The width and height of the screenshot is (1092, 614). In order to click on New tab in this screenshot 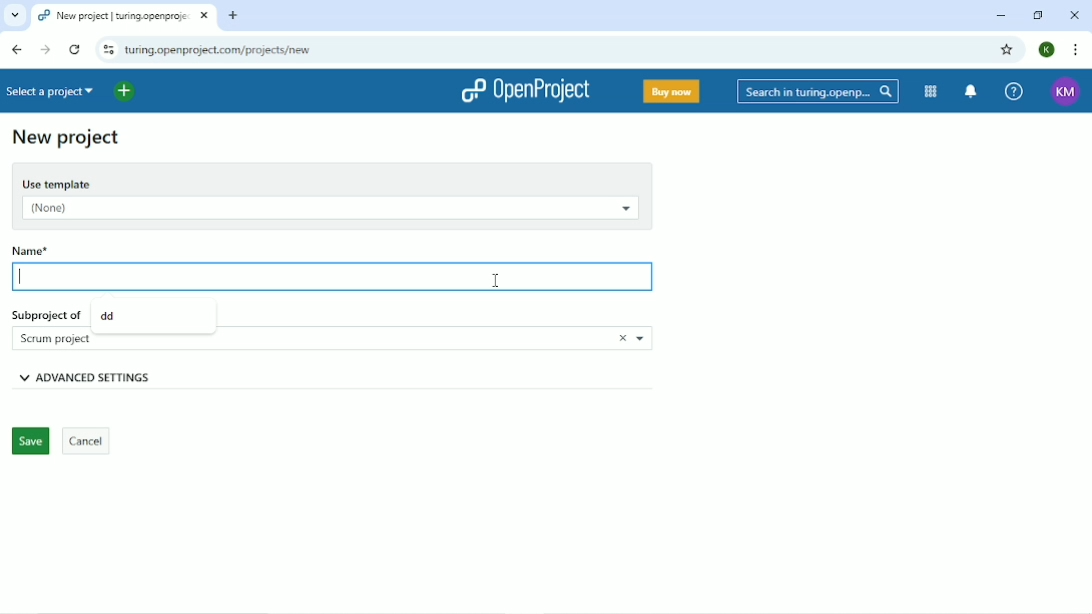, I will do `click(234, 15)`.